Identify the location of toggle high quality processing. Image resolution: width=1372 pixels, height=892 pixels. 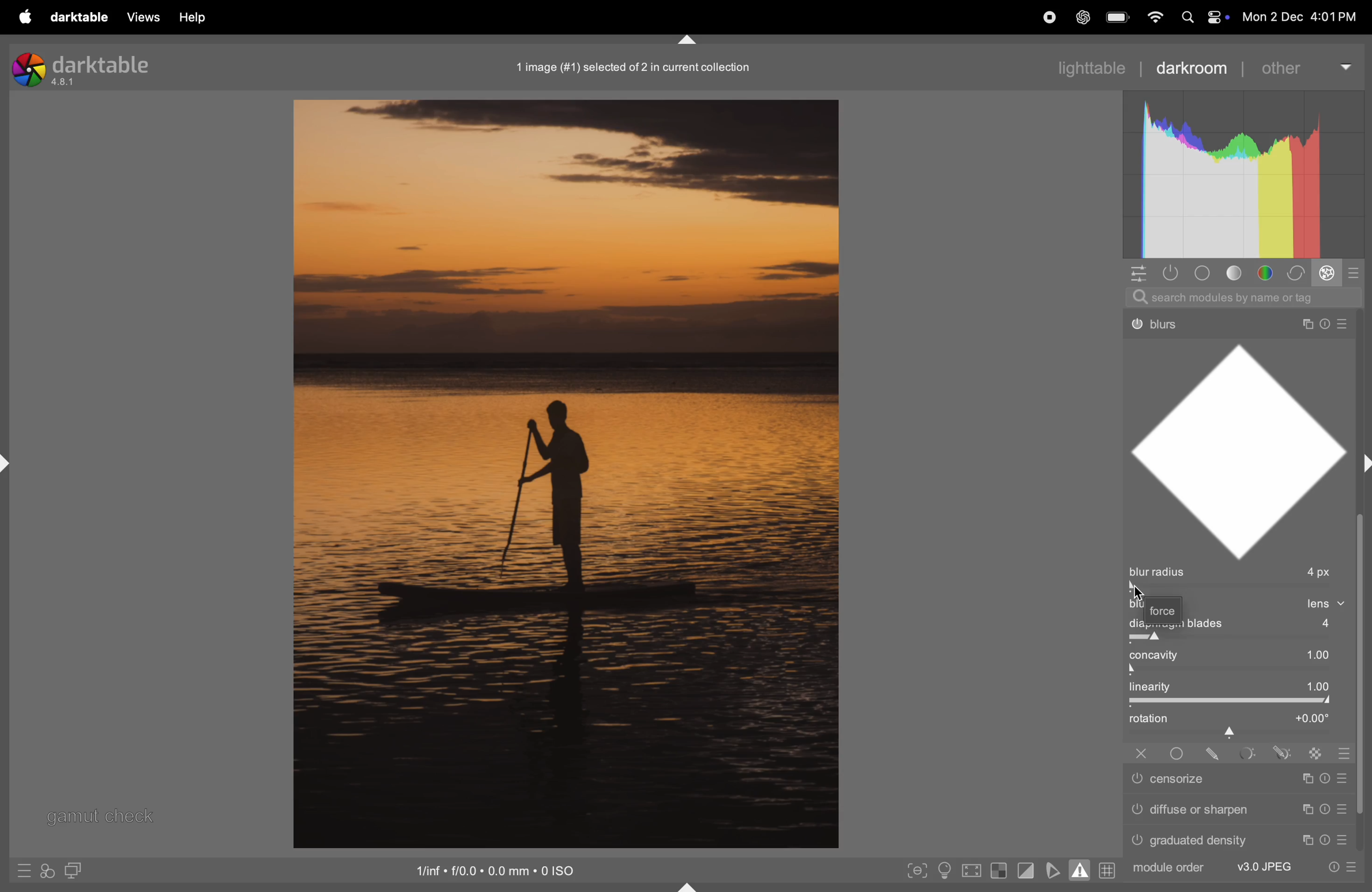
(974, 870).